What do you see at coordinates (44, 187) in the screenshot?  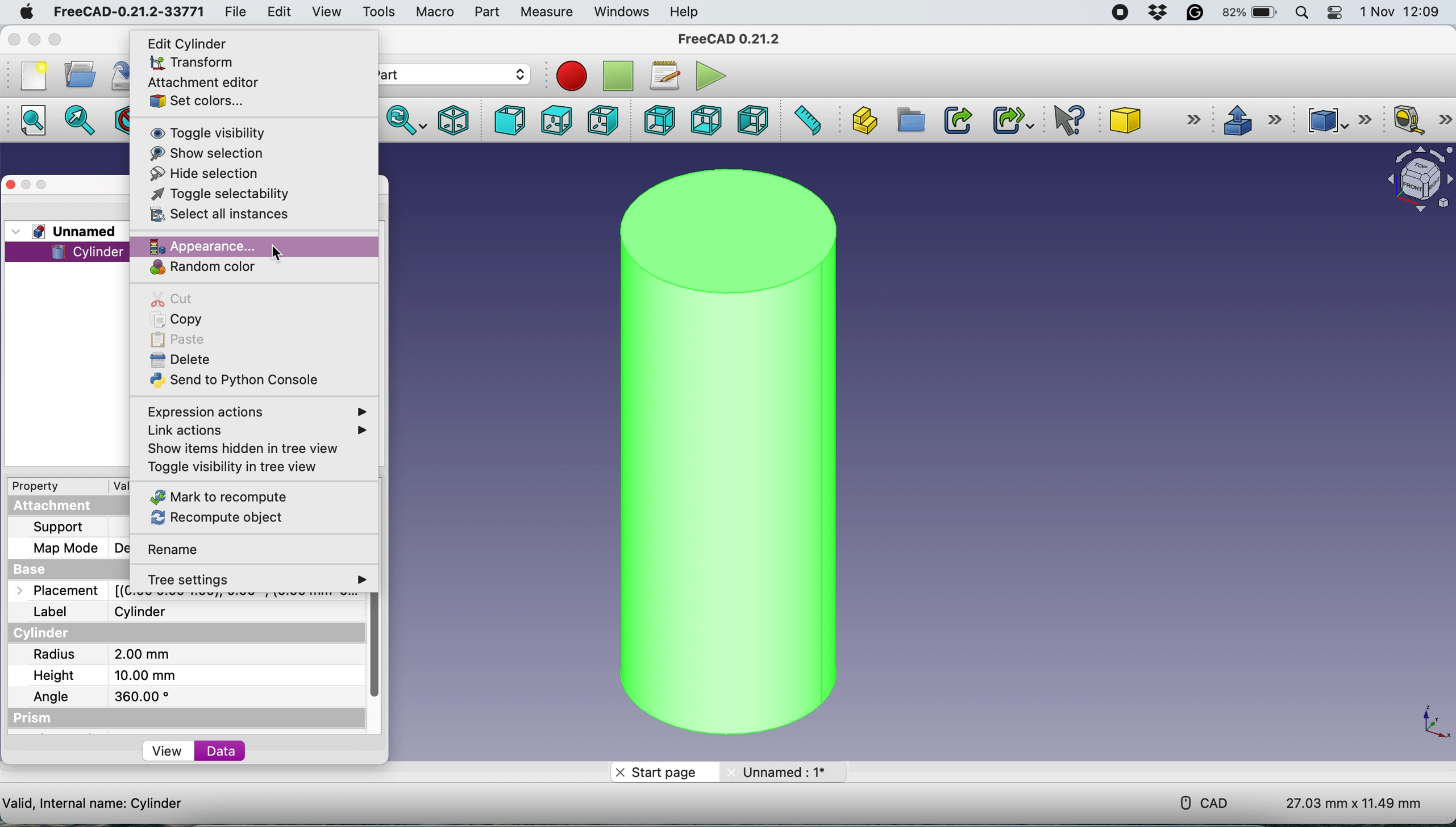 I see `maximise` at bounding box center [44, 187].